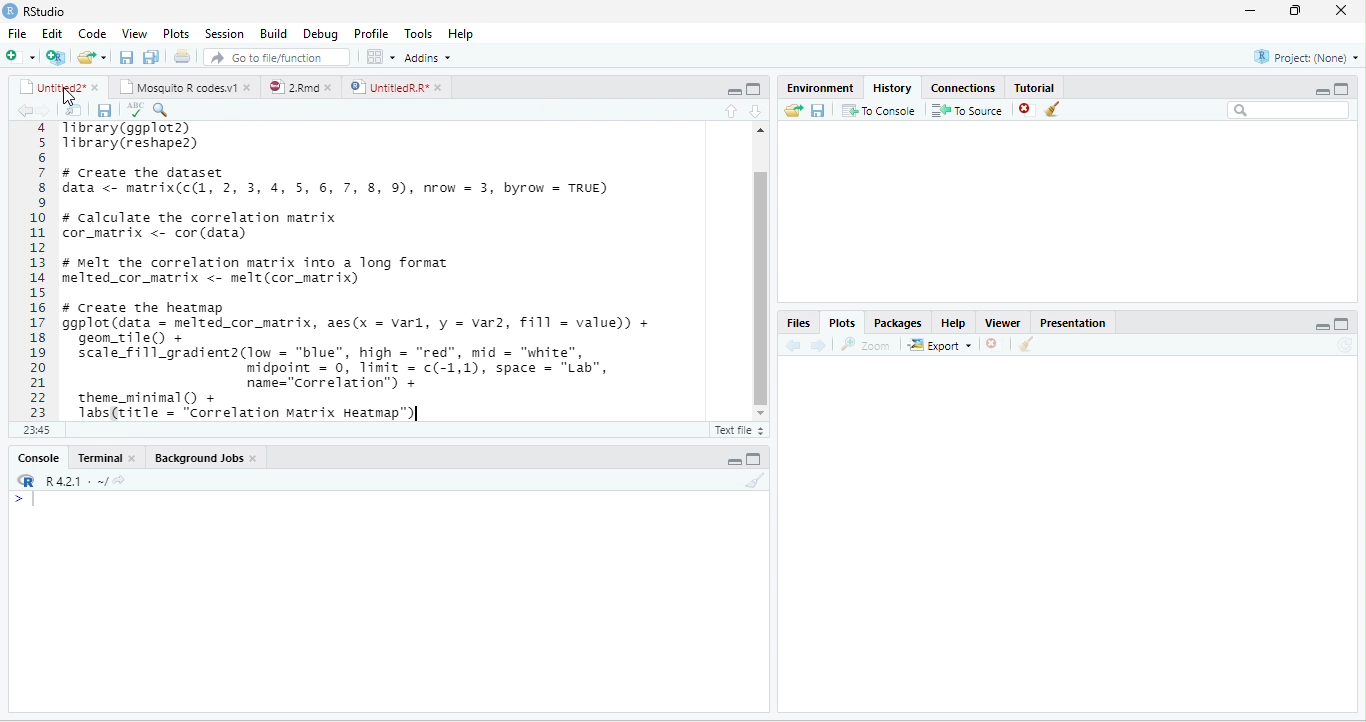  Describe the element at coordinates (418, 31) in the screenshot. I see `tools` at that location.